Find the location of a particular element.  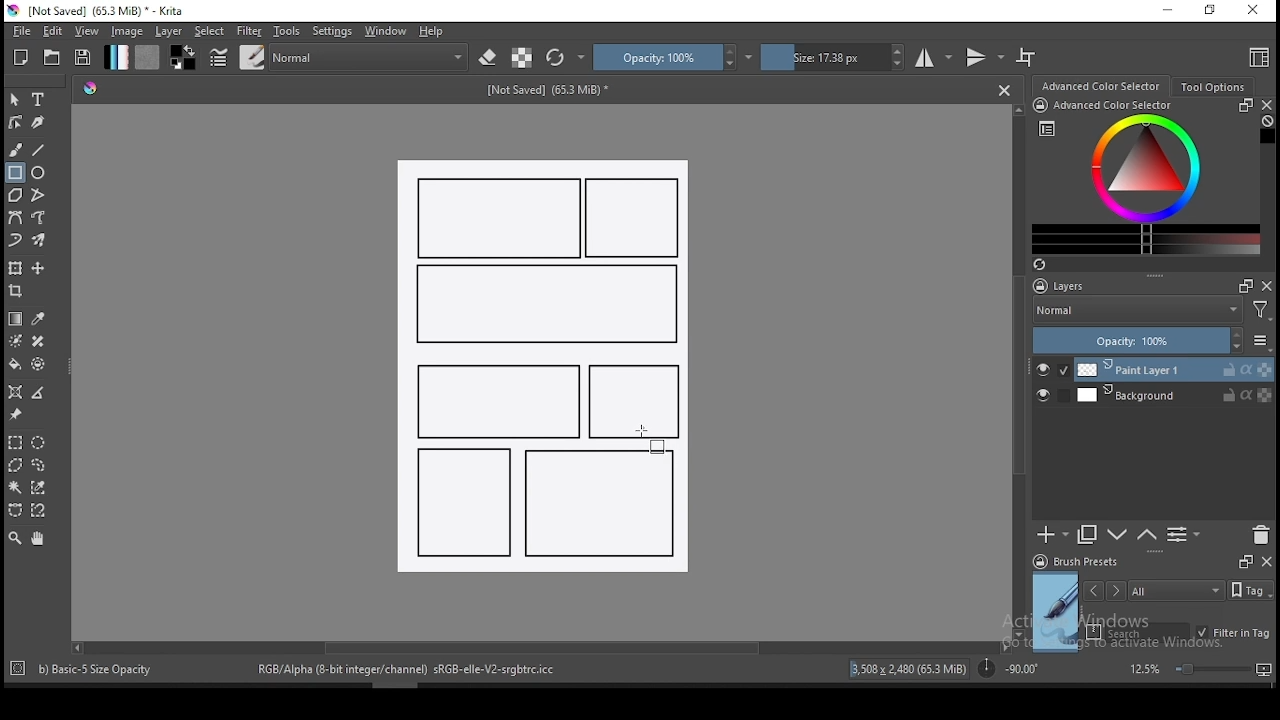

layer is located at coordinates (1175, 370).